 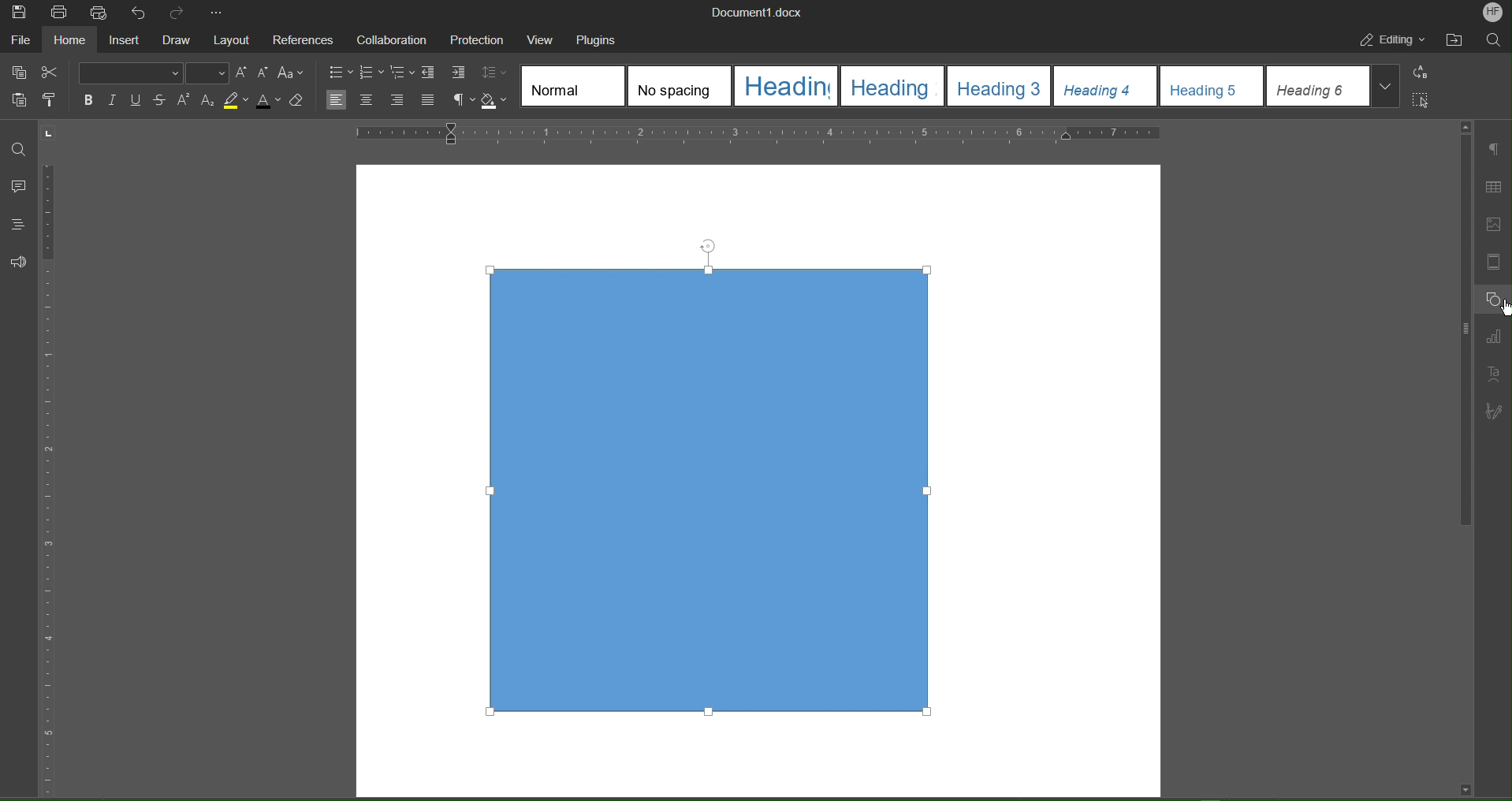 What do you see at coordinates (785, 84) in the screenshot?
I see `Heading 1` at bounding box center [785, 84].